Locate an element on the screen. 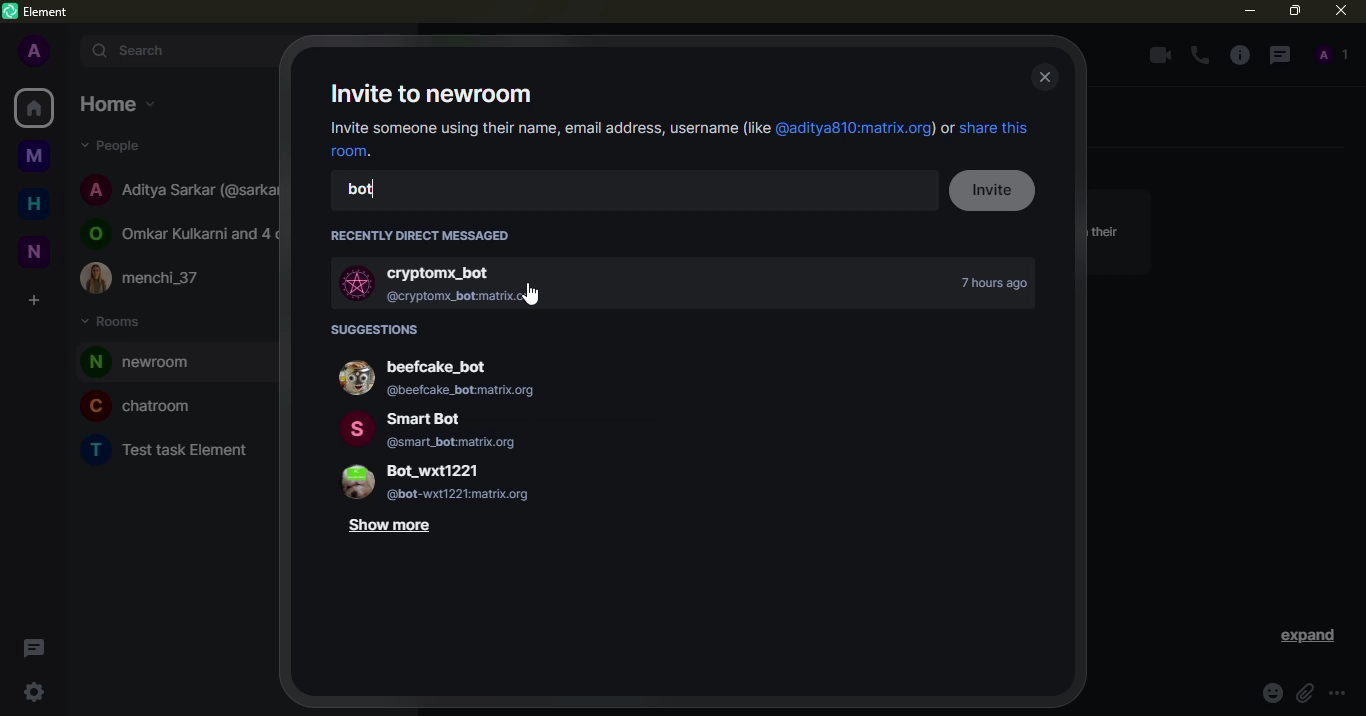 This screenshot has width=1366, height=716. close is located at coordinates (1044, 77).